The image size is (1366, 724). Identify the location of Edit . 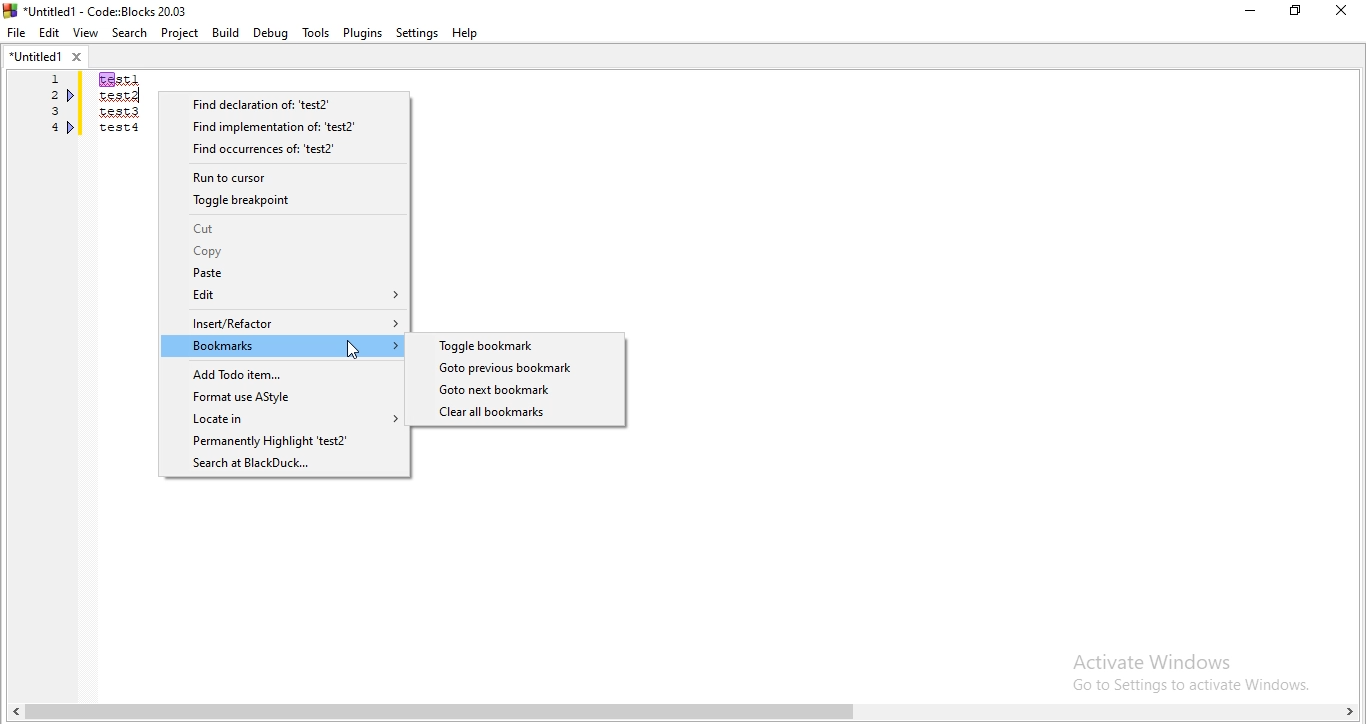
(48, 32).